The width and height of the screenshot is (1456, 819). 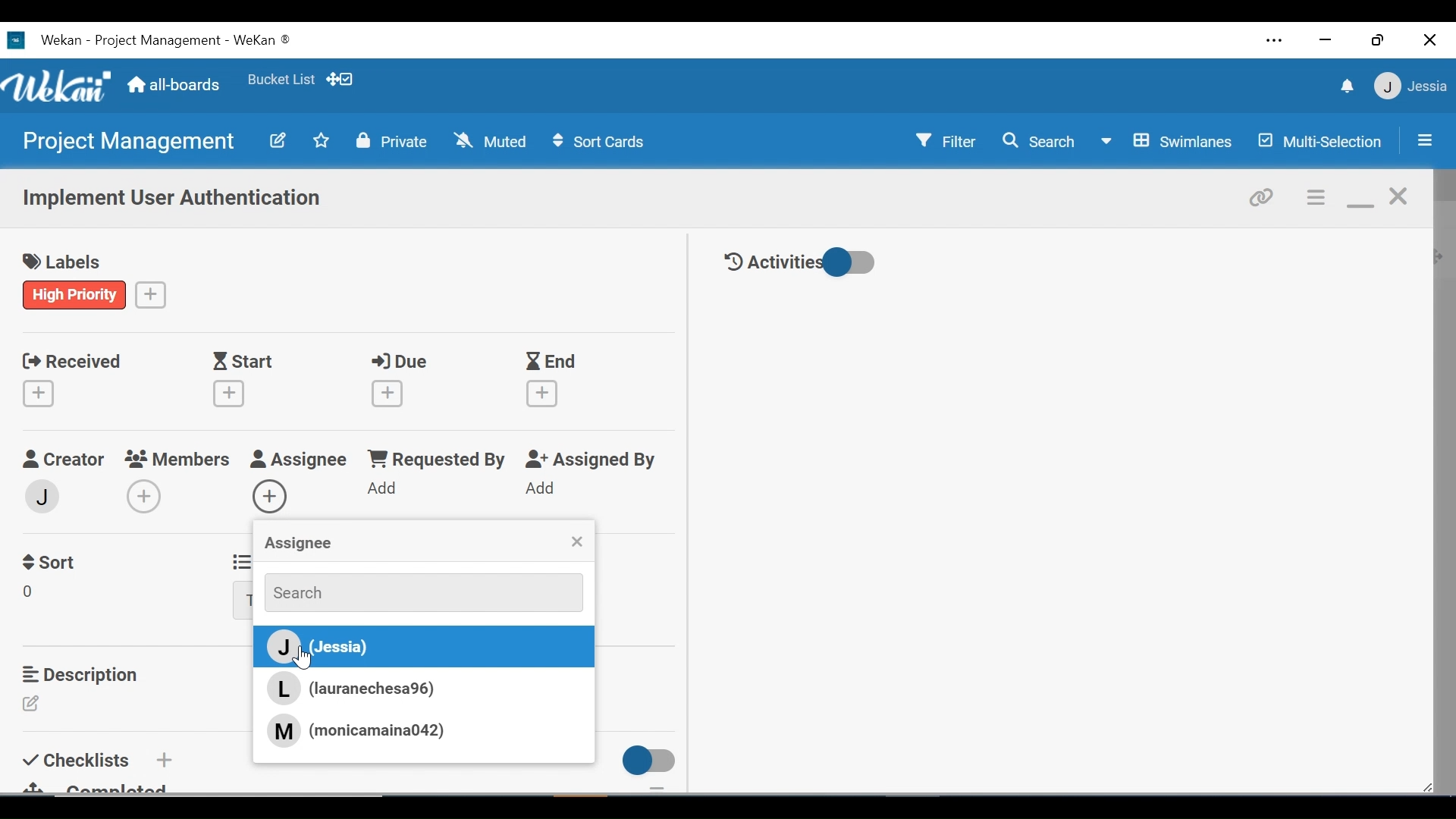 What do you see at coordinates (33, 594) in the screenshot?
I see `Field` at bounding box center [33, 594].